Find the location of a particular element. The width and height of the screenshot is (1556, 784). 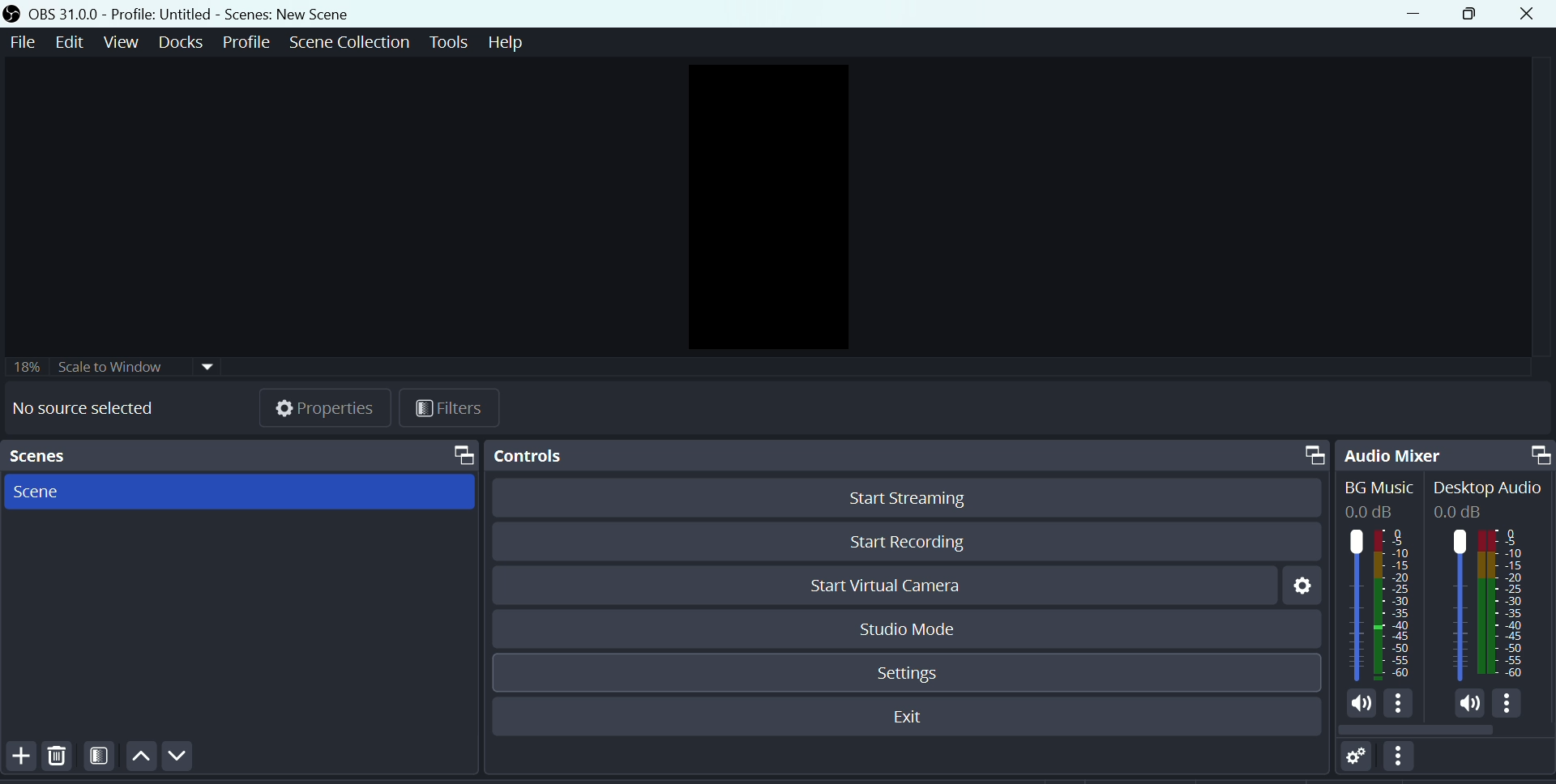

Settings is located at coordinates (1294, 588).